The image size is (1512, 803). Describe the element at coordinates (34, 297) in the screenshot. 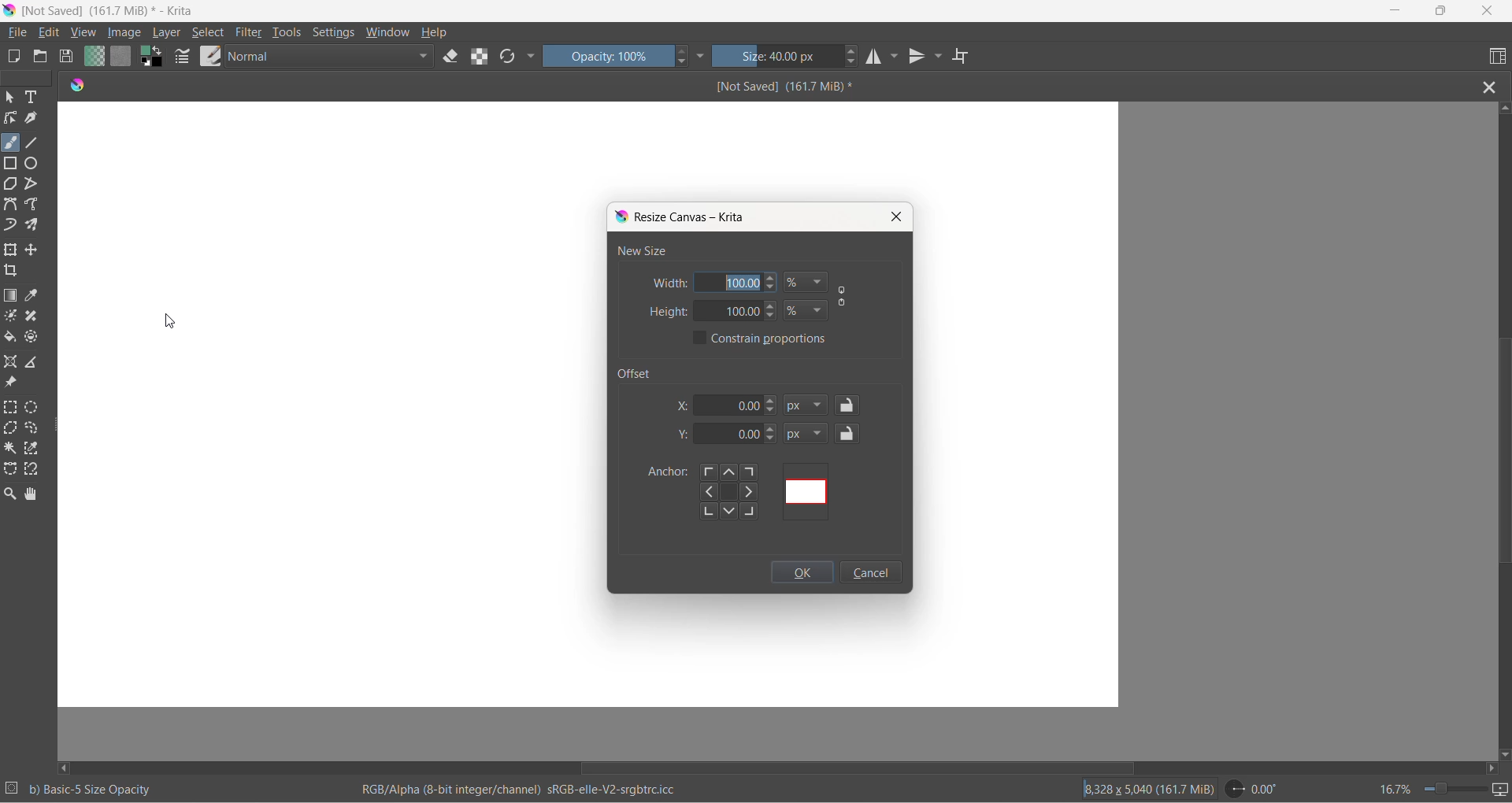

I see `sample a color` at that location.